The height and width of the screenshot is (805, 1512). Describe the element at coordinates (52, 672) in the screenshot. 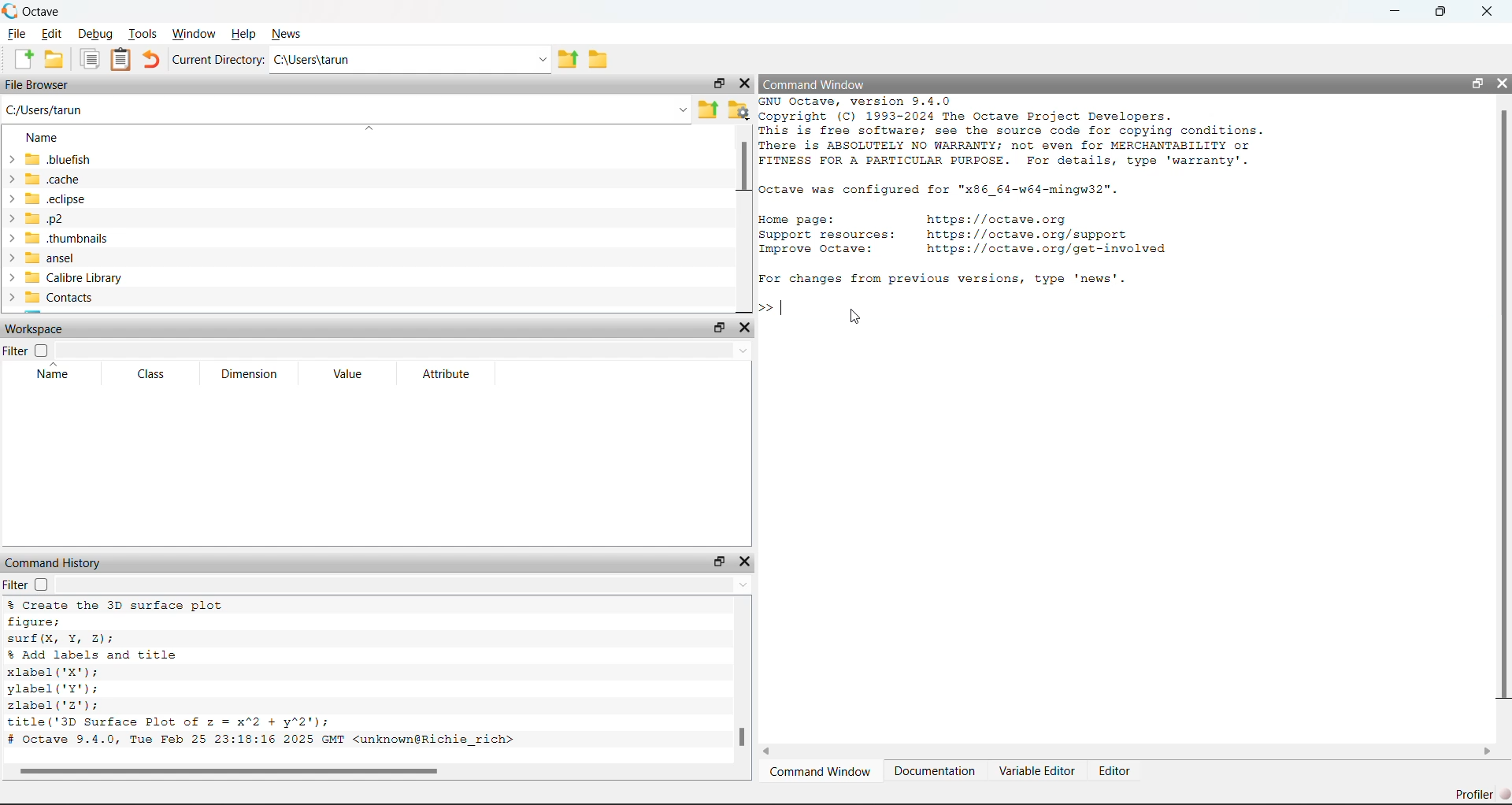

I see `xlabel ('X");` at that location.